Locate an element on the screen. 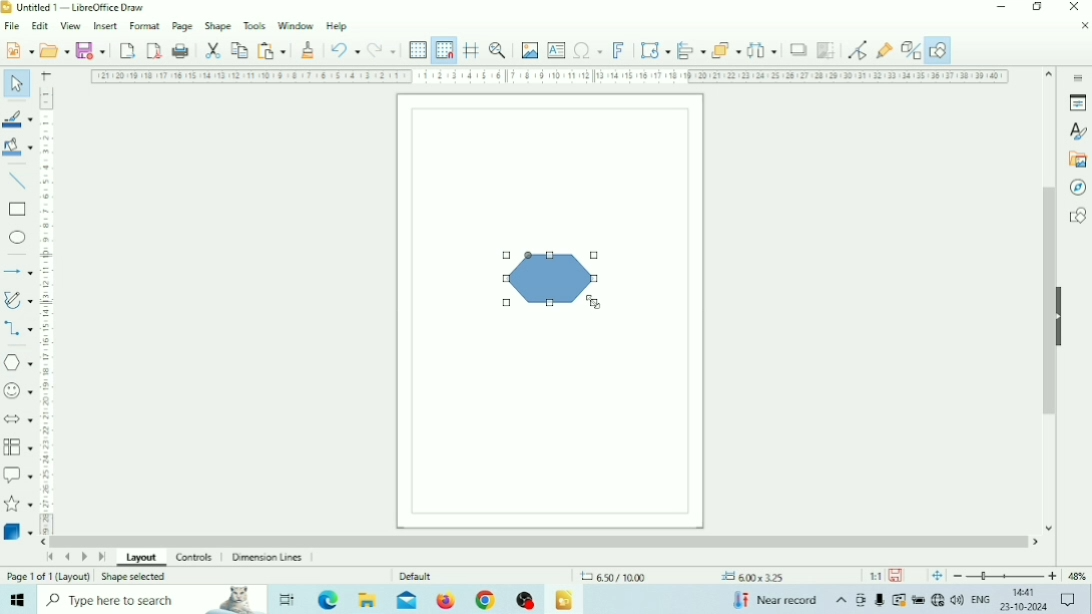 The width and height of the screenshot is (1092, 614). Windows is located at coordinates (18, 599).